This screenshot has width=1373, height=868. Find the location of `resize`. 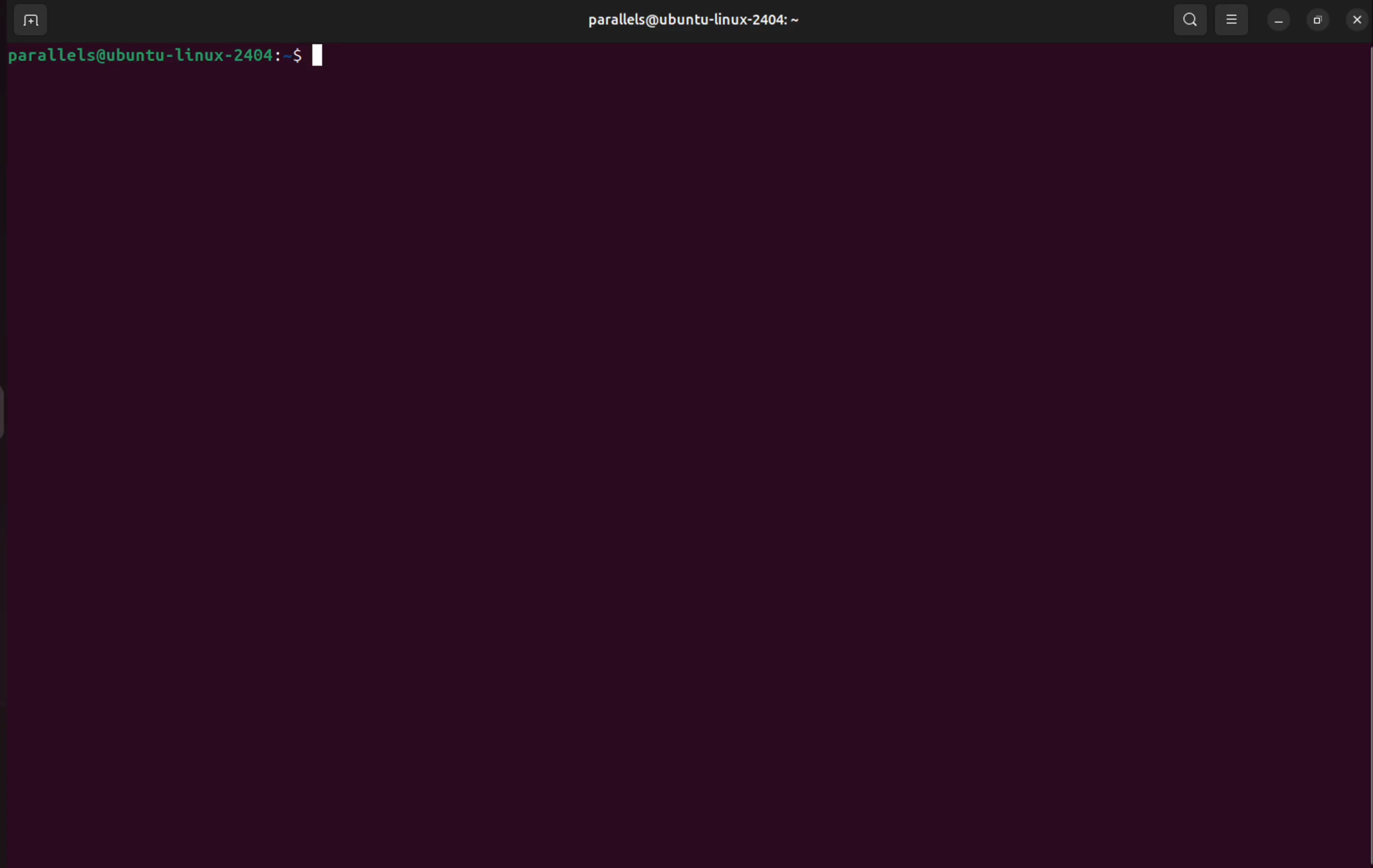

resize is located at coordinates (1319, 21).